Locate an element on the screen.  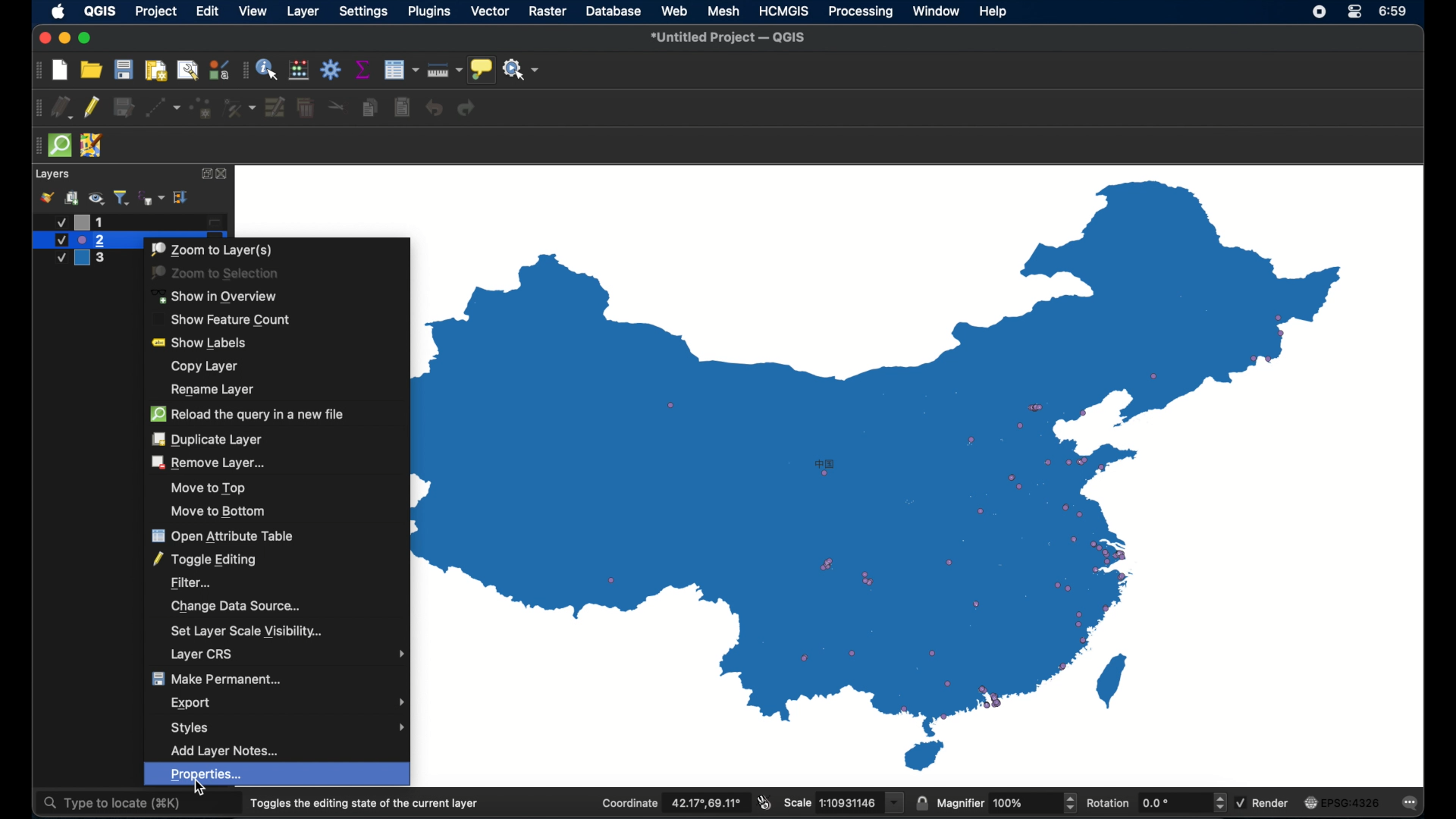
maximize  is located at coordinates (86, 39).